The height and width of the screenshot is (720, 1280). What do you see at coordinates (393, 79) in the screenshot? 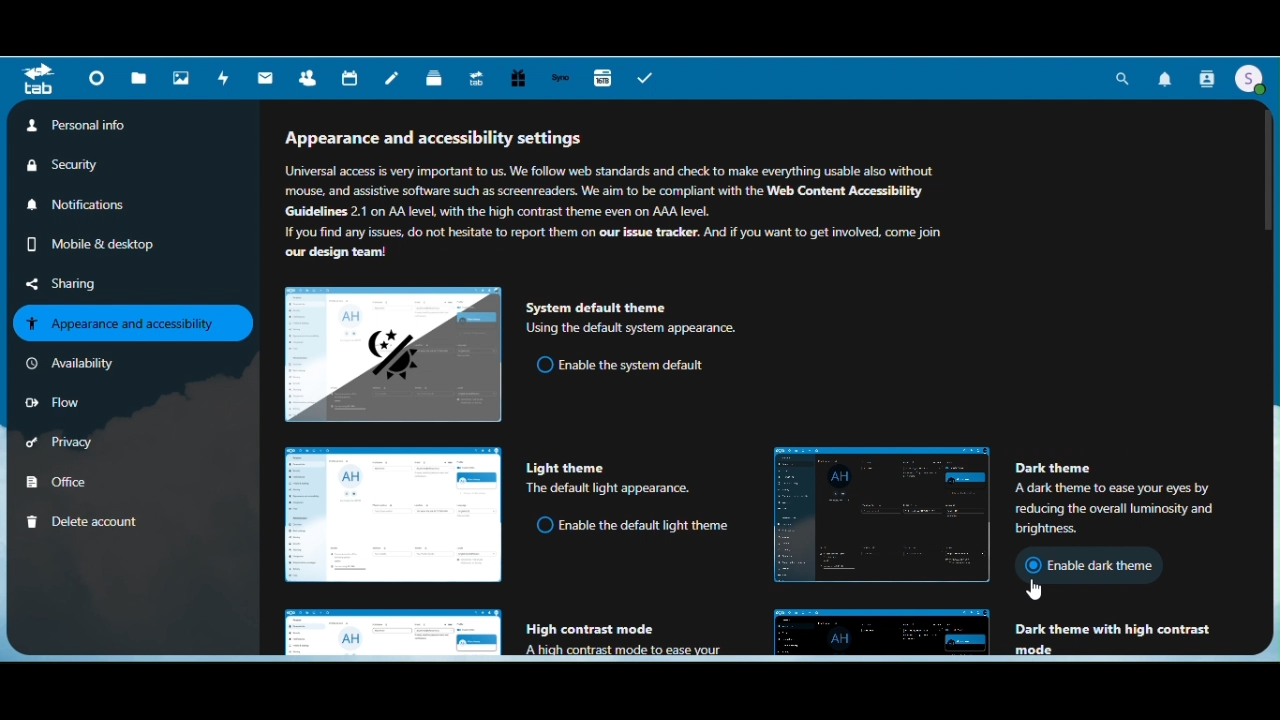
I see `Notes` at bounding box center [393, 79].